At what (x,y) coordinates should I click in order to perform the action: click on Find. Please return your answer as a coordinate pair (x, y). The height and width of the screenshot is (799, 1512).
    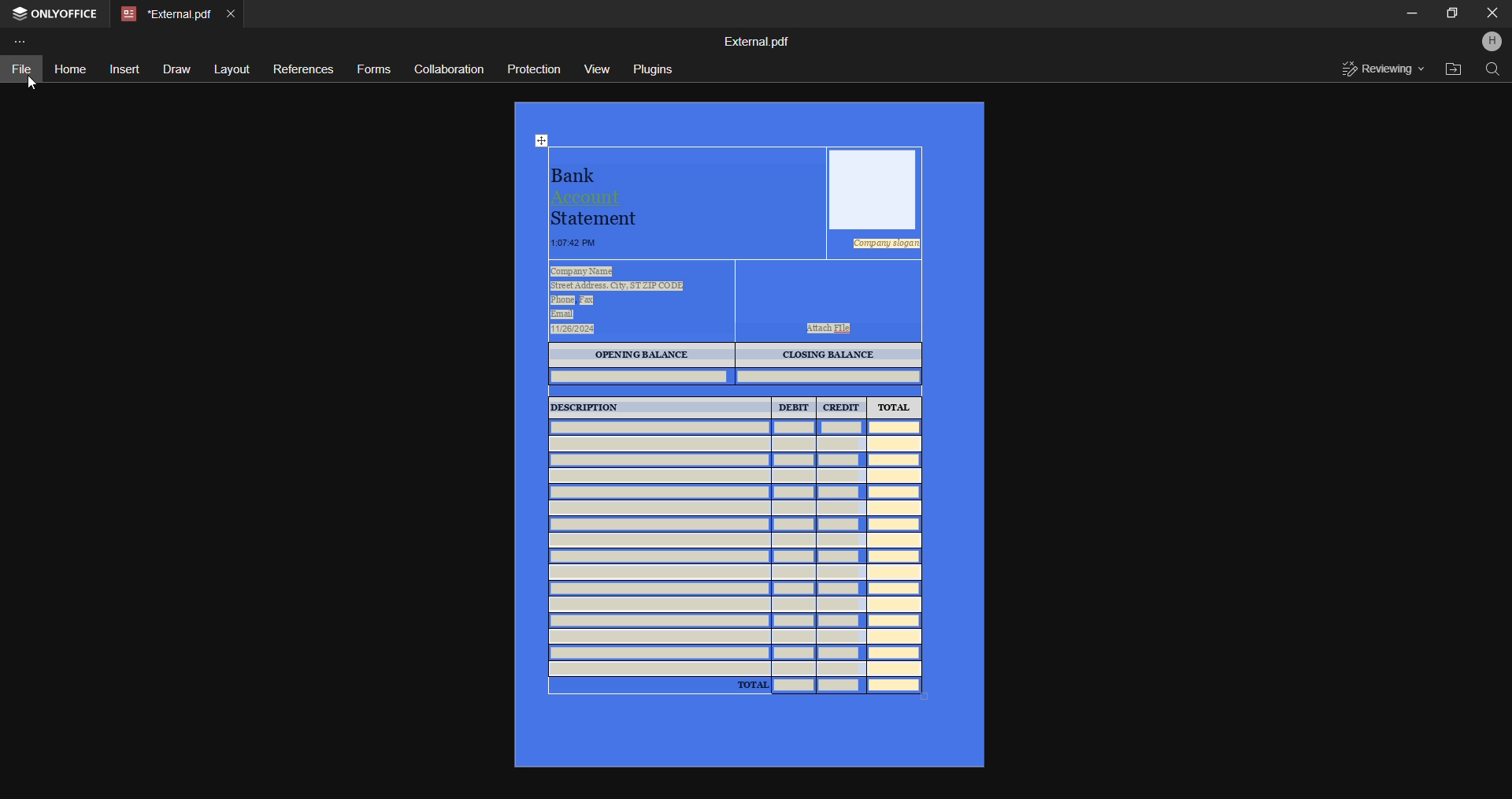
    Looking at the image, I should click on (1493, 72).